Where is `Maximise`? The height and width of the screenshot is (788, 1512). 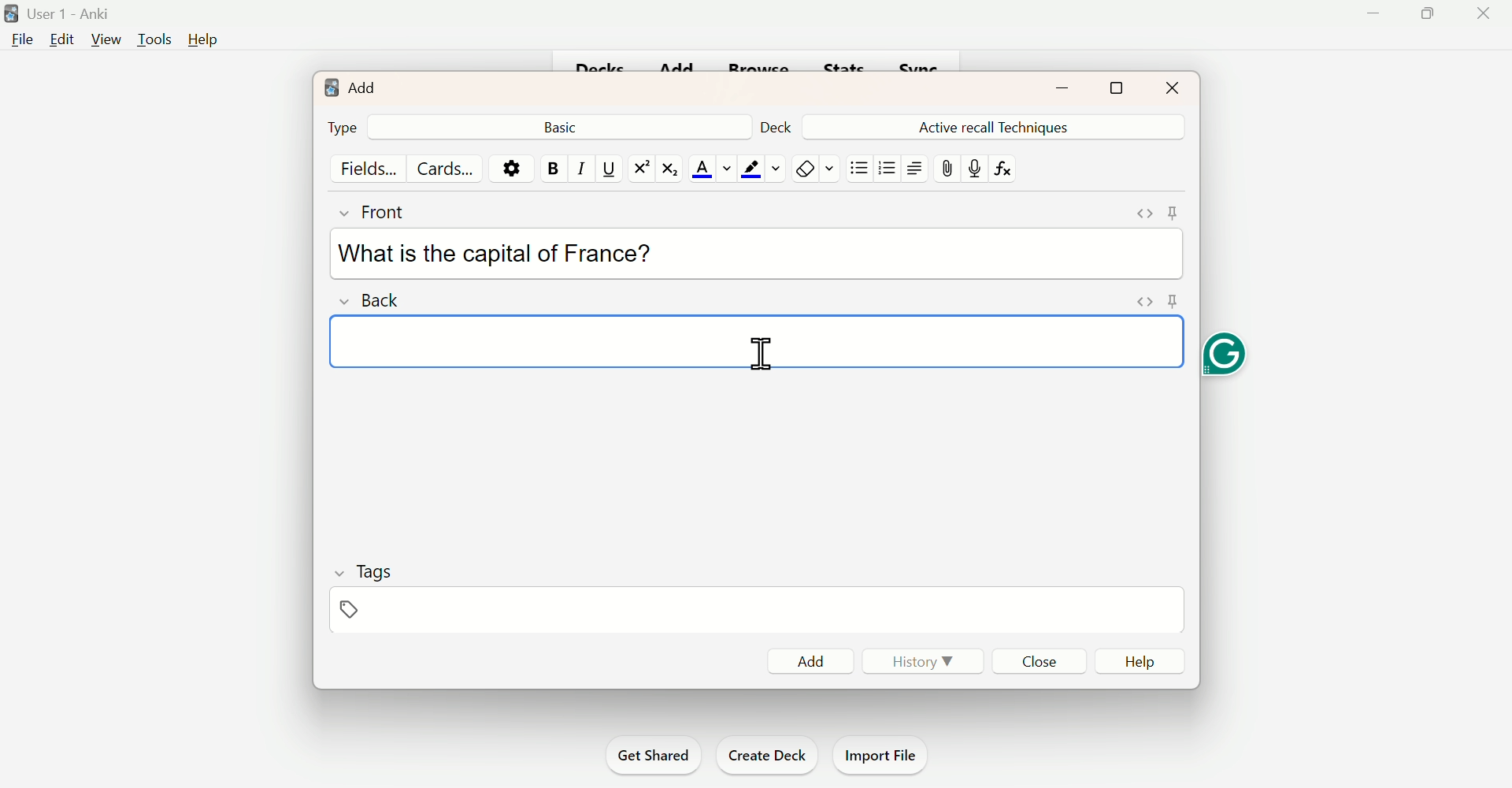 Maximise is located at coordinates (1426, 13).